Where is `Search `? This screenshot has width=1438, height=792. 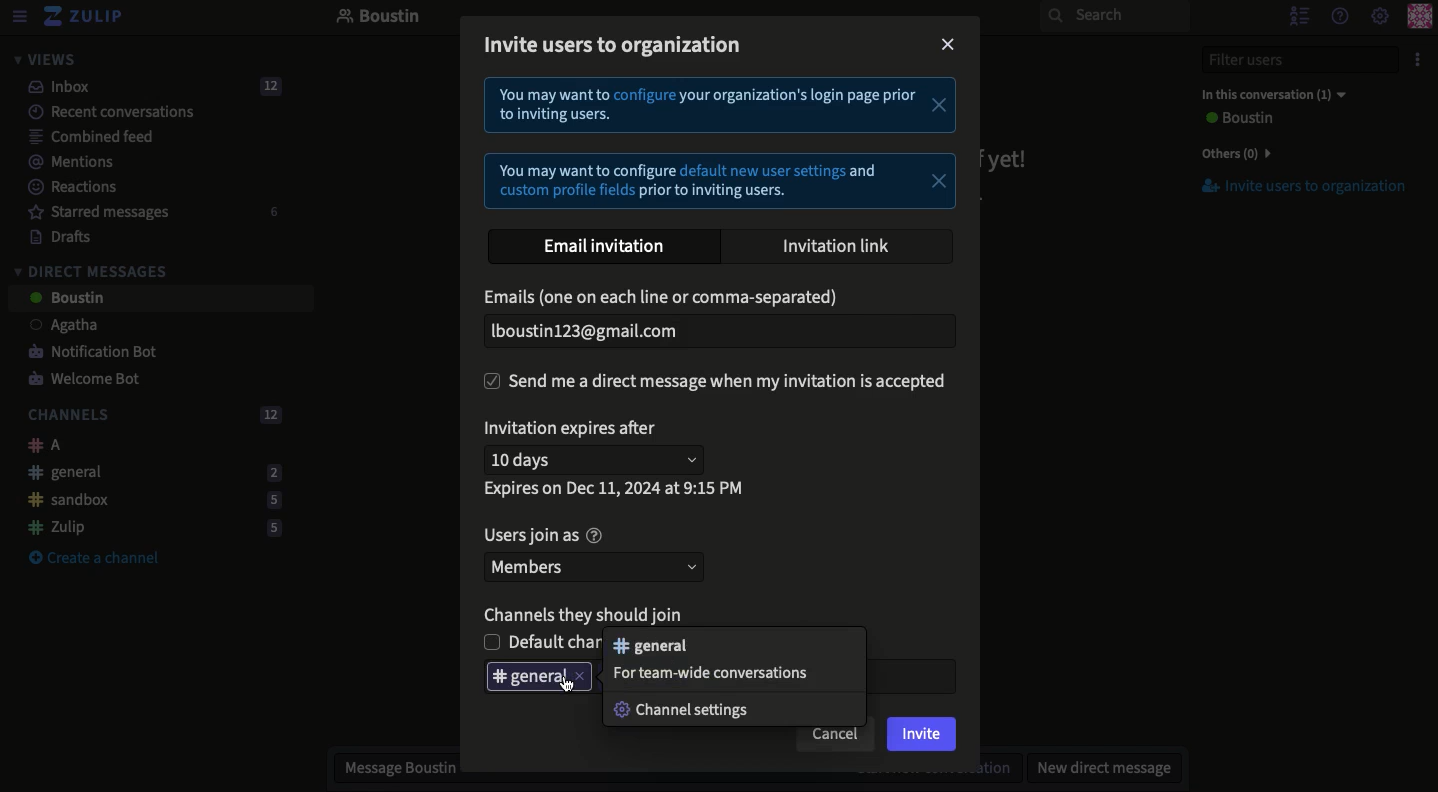
Search  is located at coordinates (1114, 16).